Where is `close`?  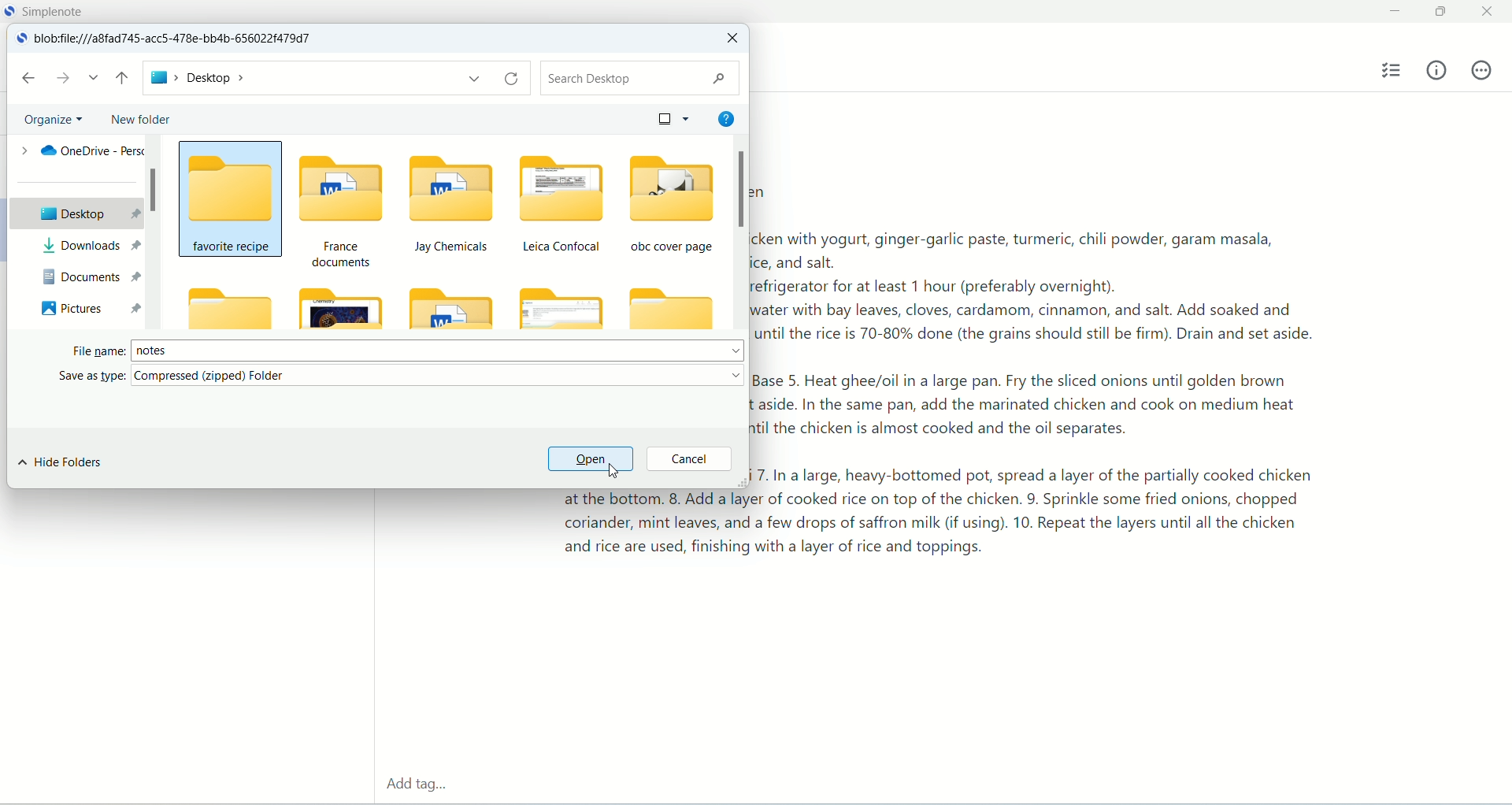
close is located at coordinates (1490, 9).